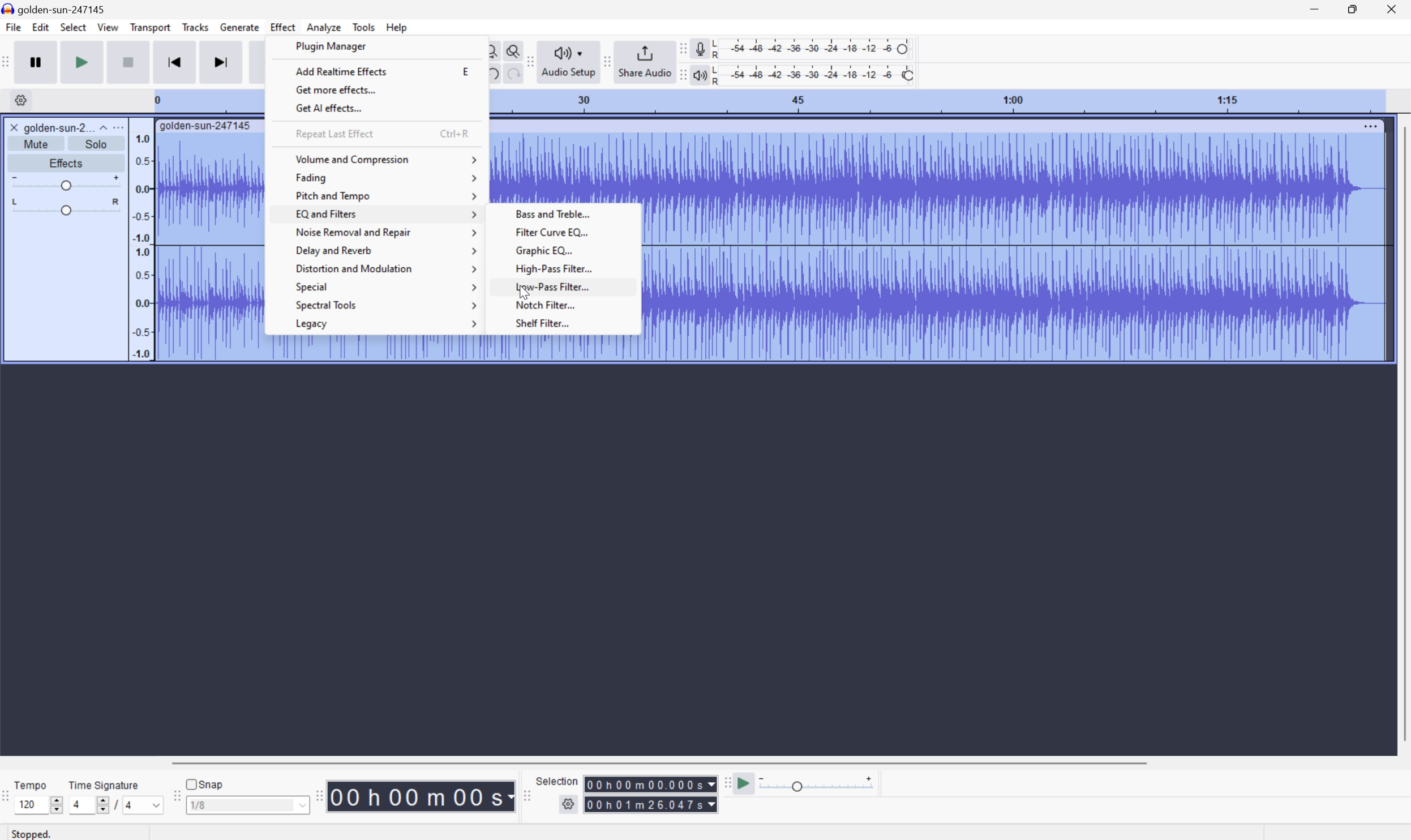  I want to click on Edit, so click(41, 27).